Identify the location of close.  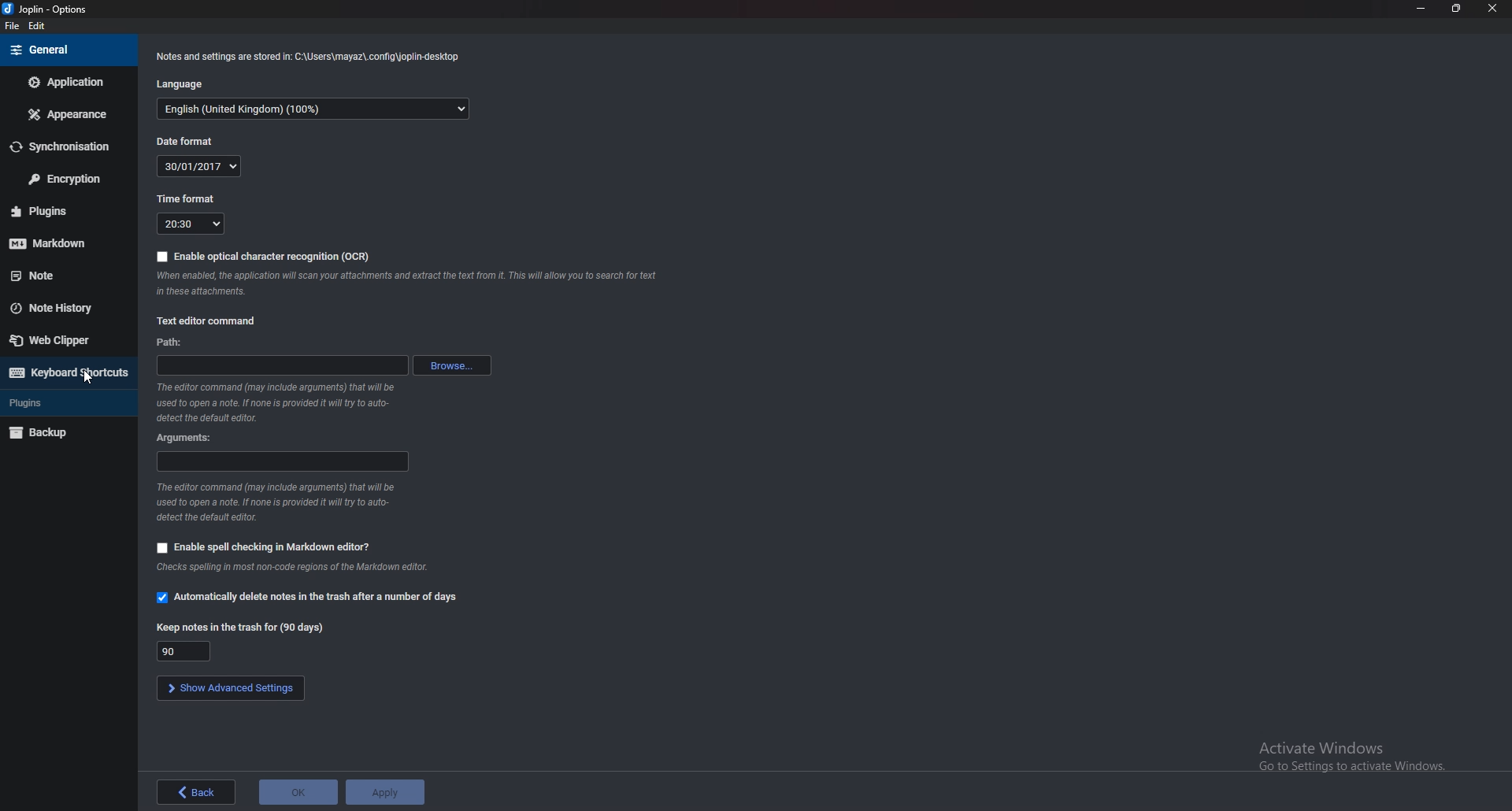
(1493, 7).